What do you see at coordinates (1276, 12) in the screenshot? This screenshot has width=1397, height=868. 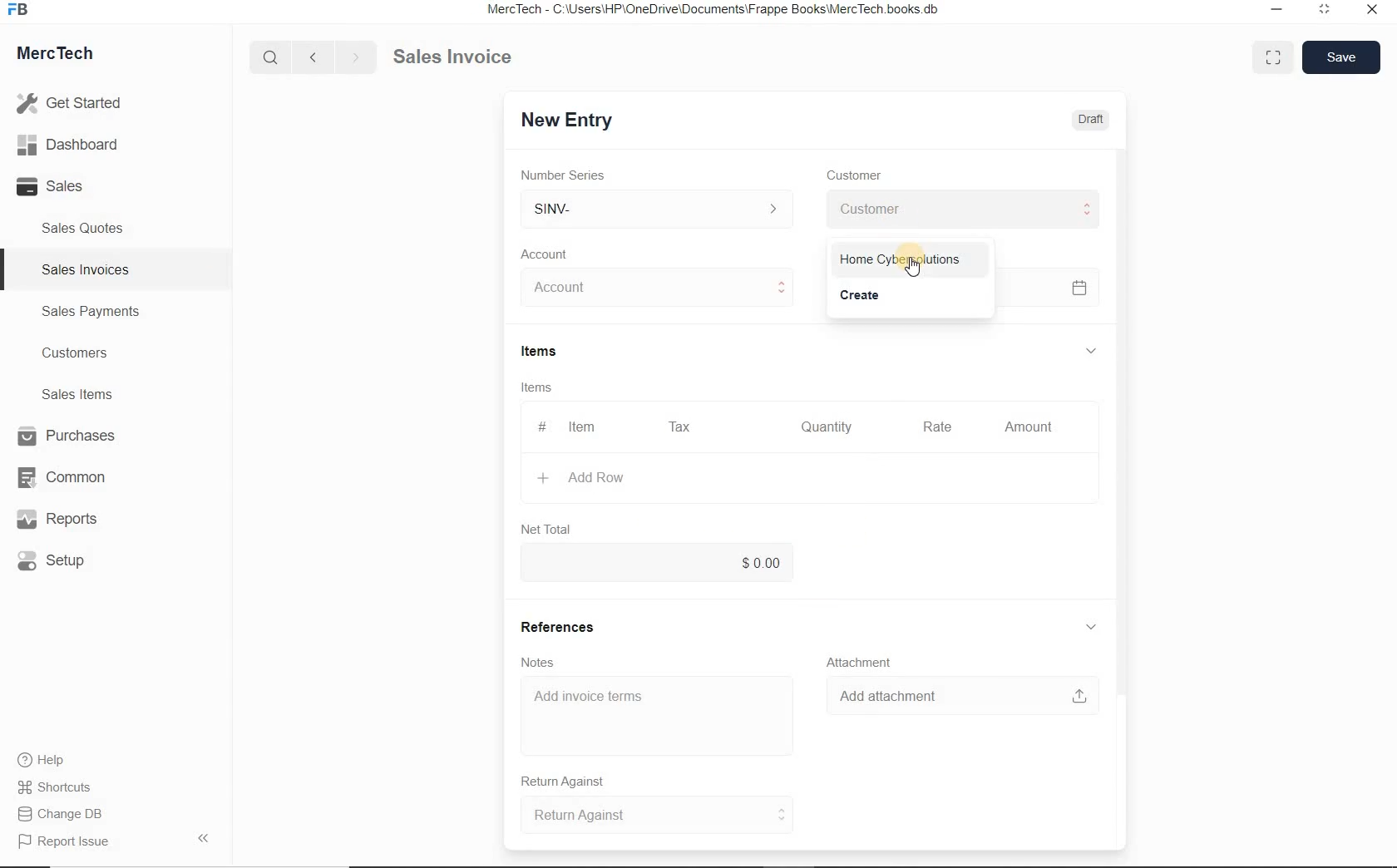 I see `Minimize` at bounding box center [1276, 12].